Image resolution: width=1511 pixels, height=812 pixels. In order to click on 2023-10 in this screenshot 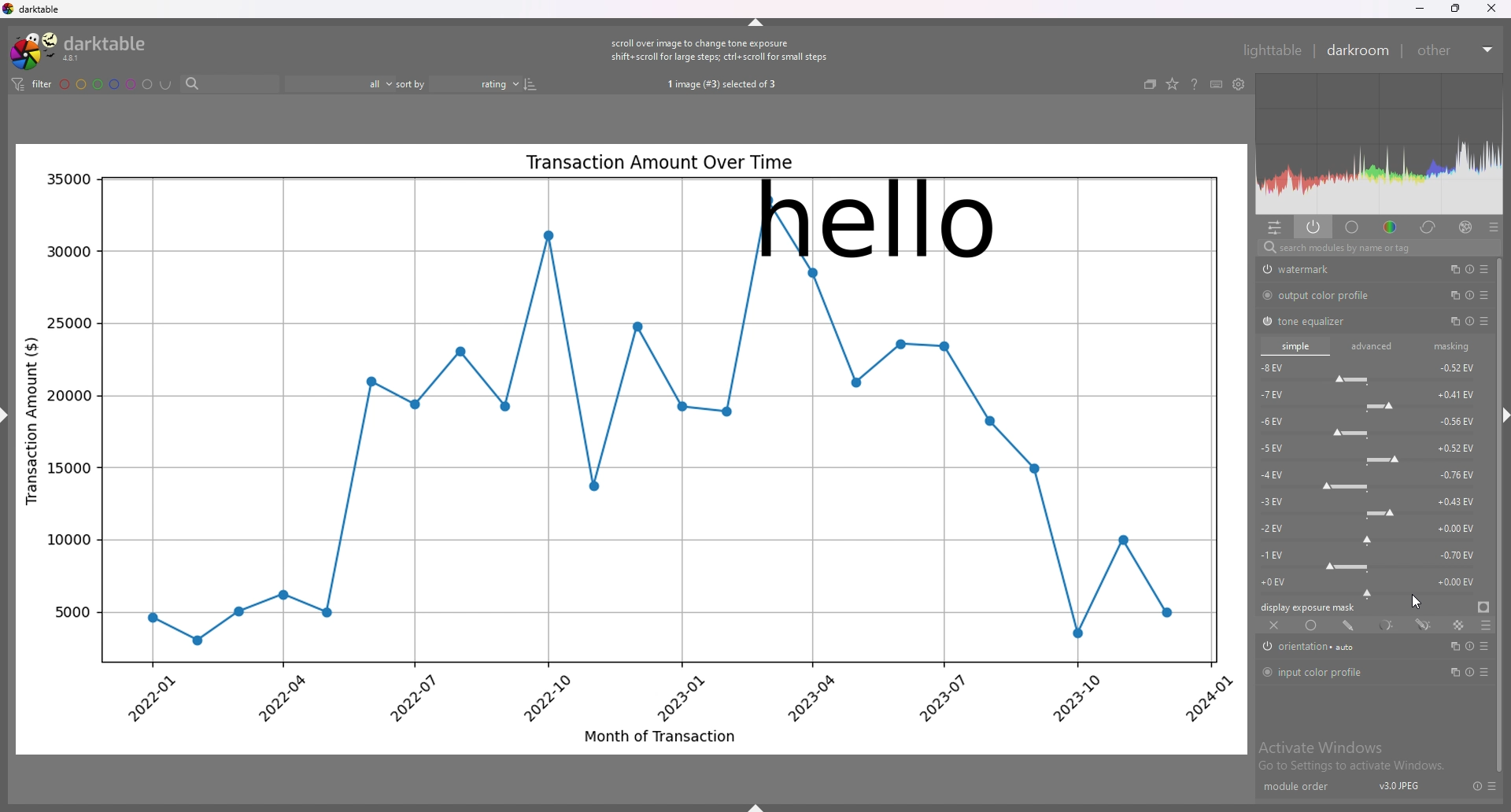, I will do `click(1084, 699)`.